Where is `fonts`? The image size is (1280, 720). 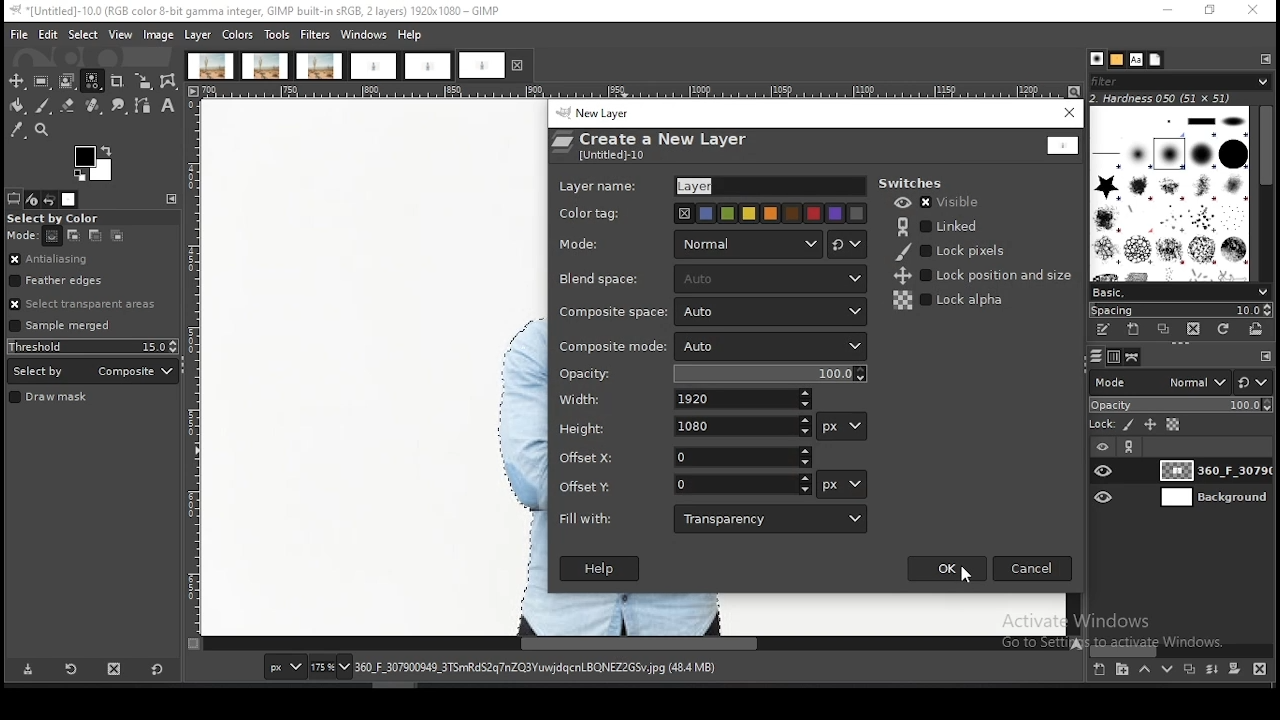
fonts is located at coordinates (1136, 60).